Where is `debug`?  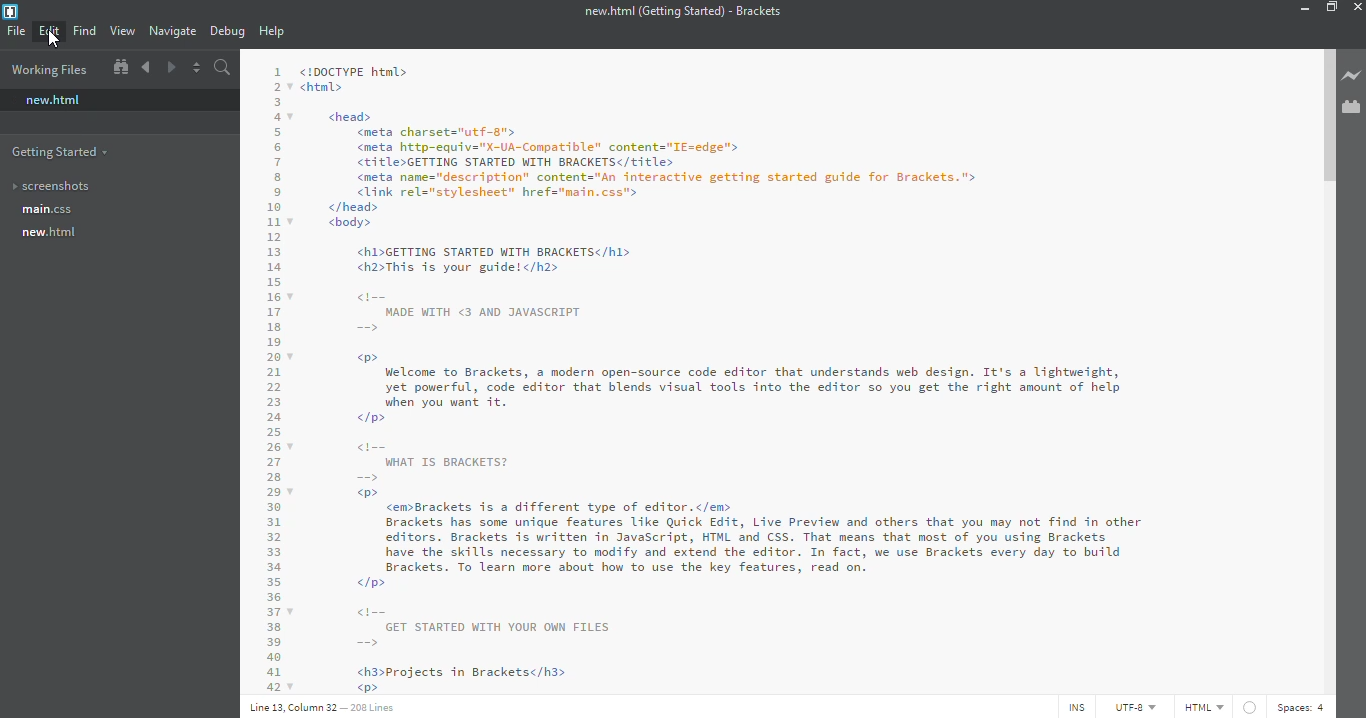 debug is located at coordinates (227, 32).